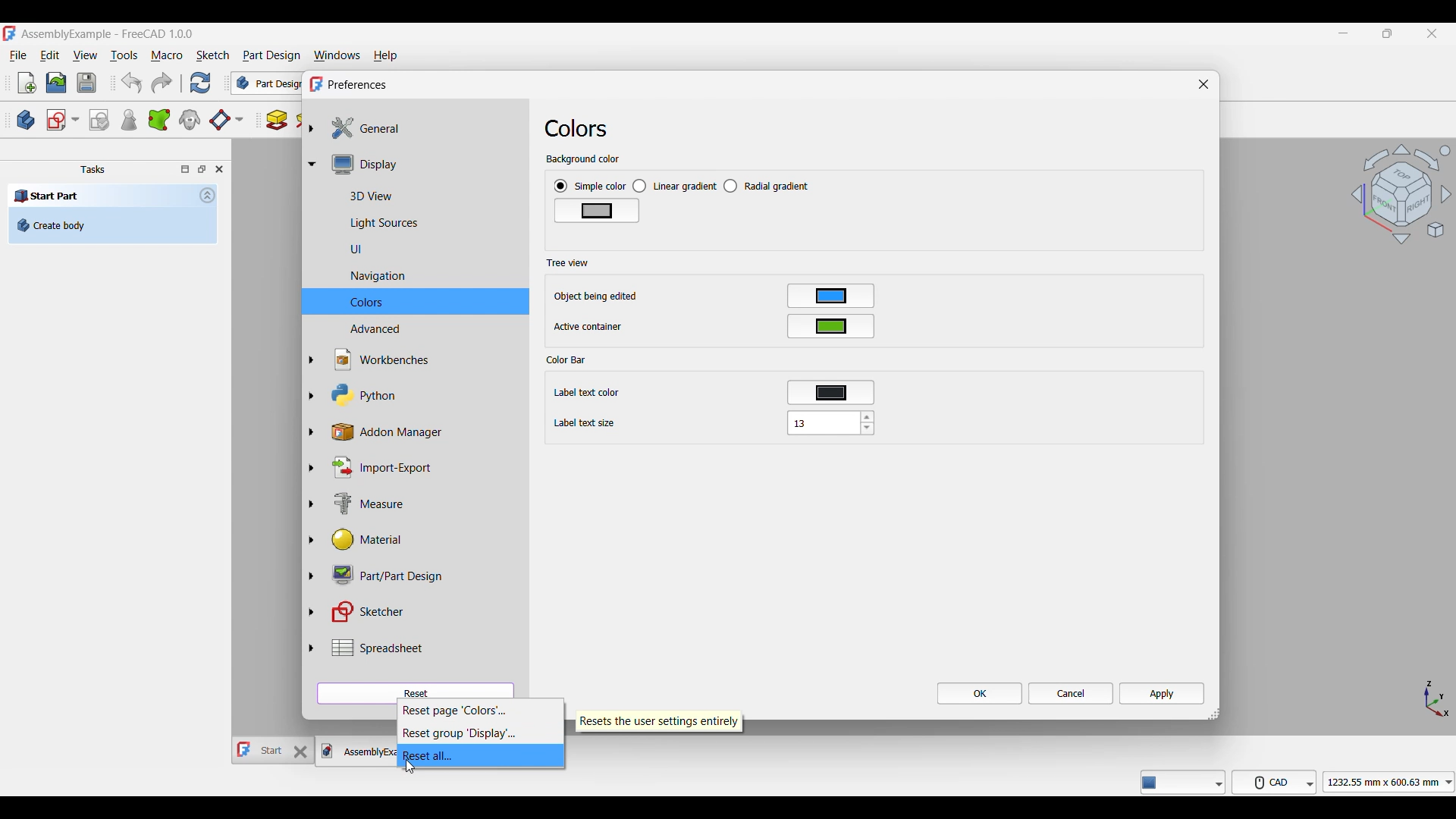  I want to click on Change window dimension, so click(1214, 714).